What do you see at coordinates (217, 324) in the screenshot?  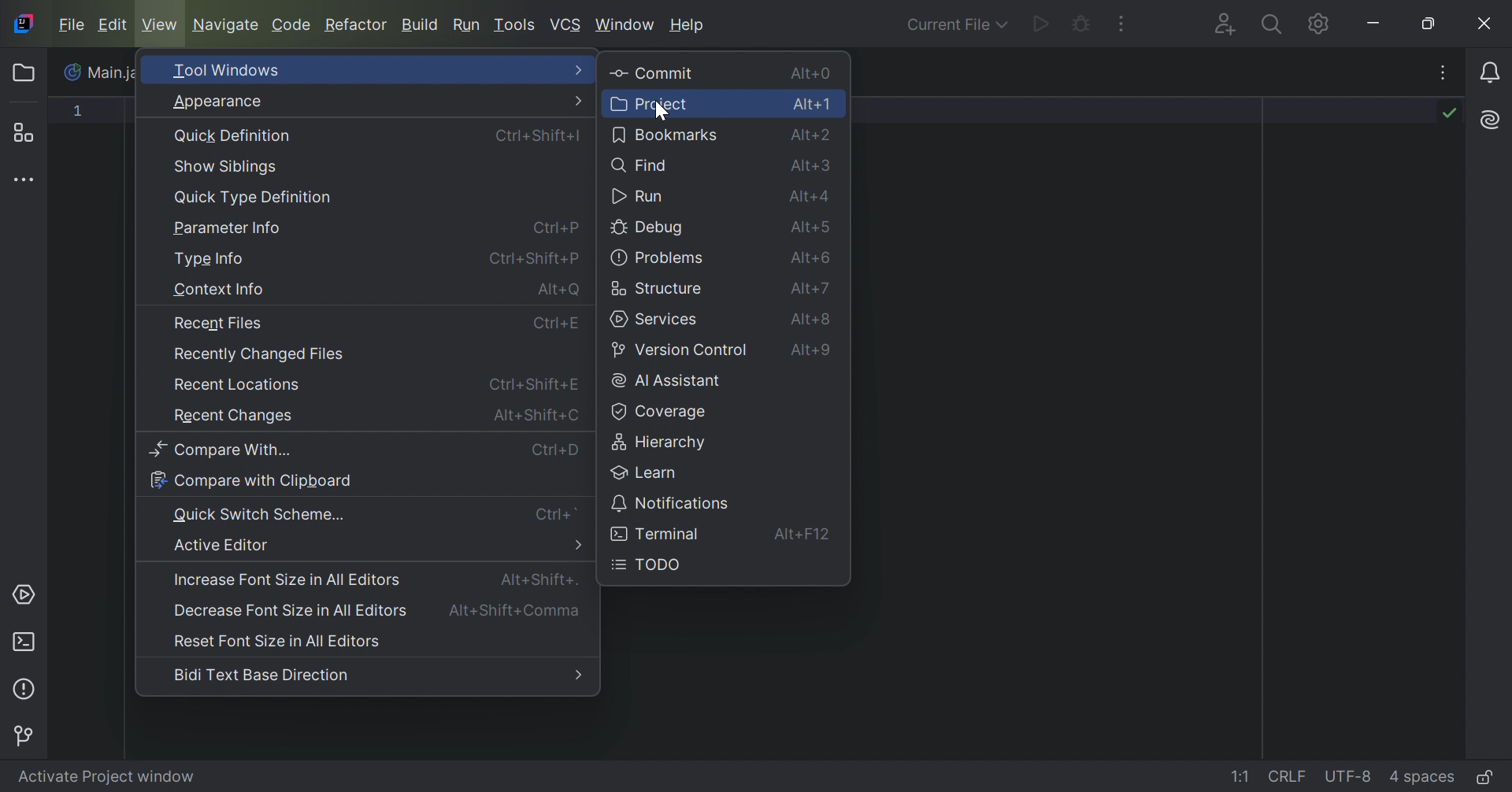 I see `Recent Files` at bounding box center [217, 324].